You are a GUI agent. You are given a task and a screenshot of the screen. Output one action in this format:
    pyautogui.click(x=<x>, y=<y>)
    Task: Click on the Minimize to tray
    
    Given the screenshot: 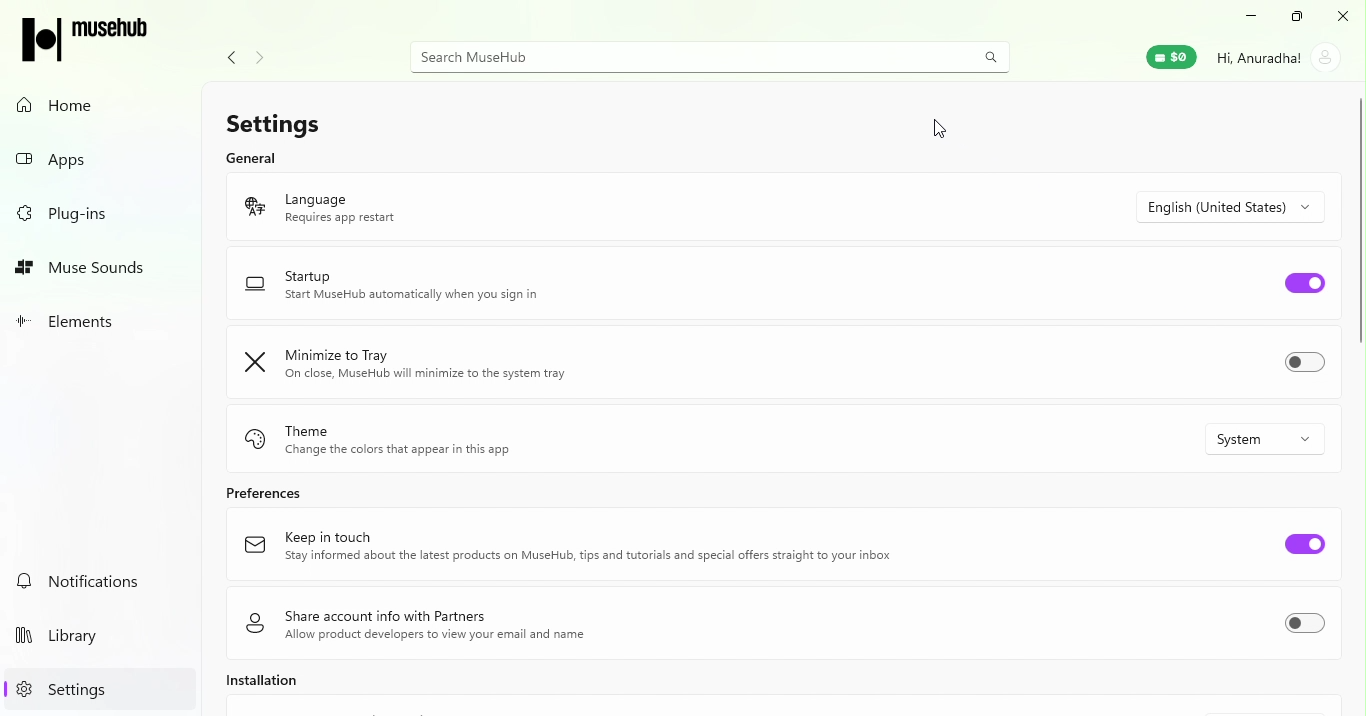 What is the action you would take?
    pyautogui.click(x=439, y=363)
    